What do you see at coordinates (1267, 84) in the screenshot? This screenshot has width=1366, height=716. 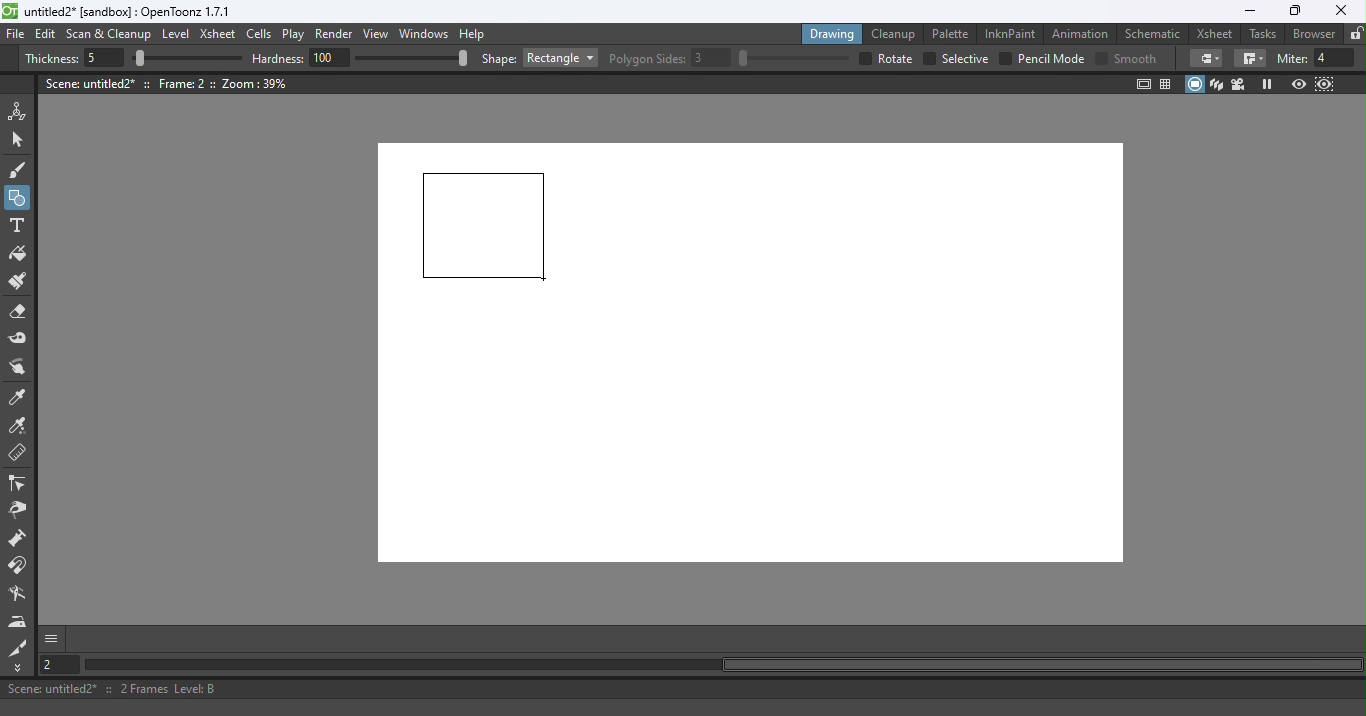 I see `Freeze` at bounding box center [1267, 84].